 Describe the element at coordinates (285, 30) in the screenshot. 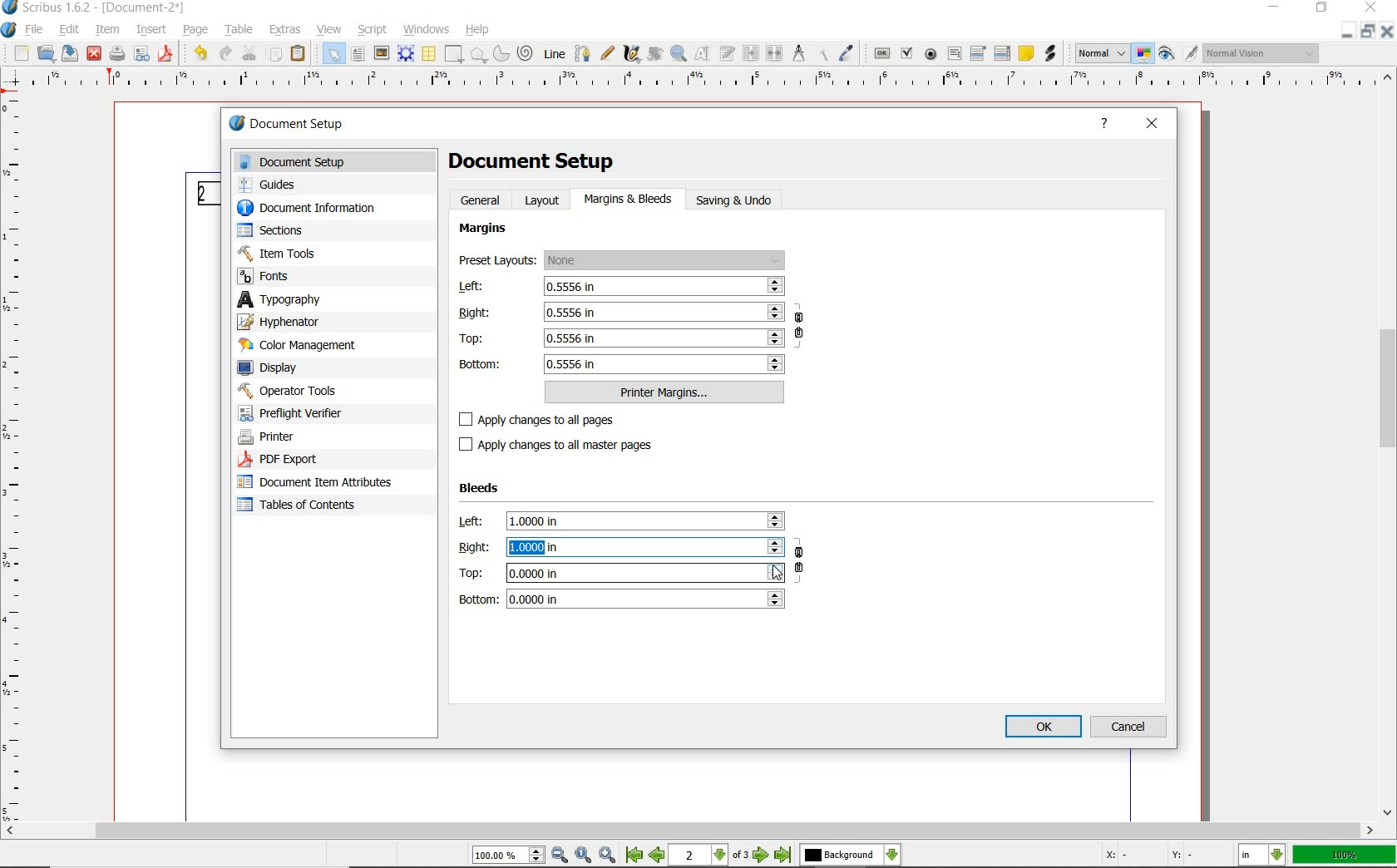

I see `extras` at that location.